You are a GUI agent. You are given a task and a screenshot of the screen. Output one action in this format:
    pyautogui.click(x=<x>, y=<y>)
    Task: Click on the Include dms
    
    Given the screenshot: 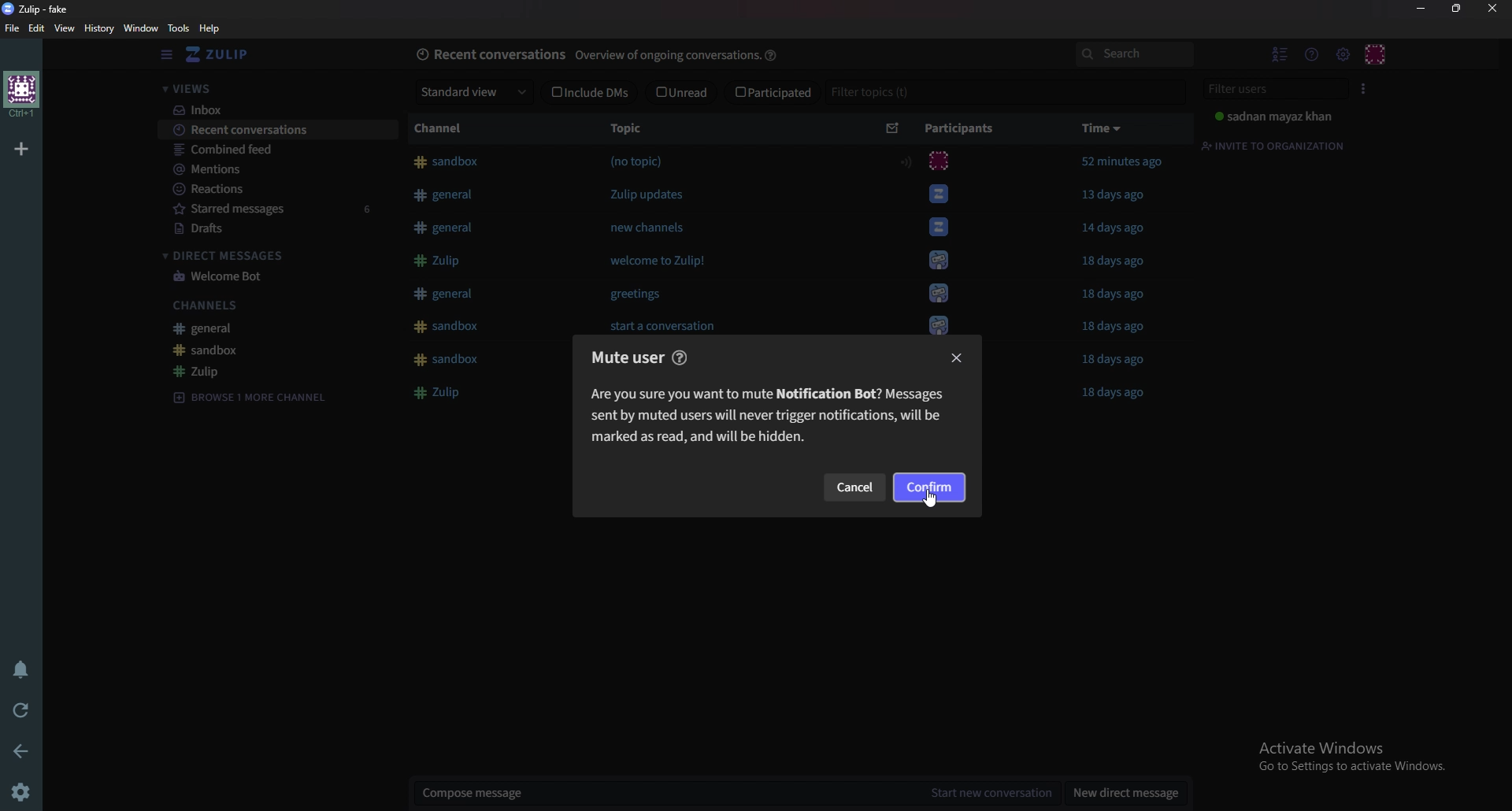 What is the action you would take?
    pyautogui.click(x=591, y=94)
    